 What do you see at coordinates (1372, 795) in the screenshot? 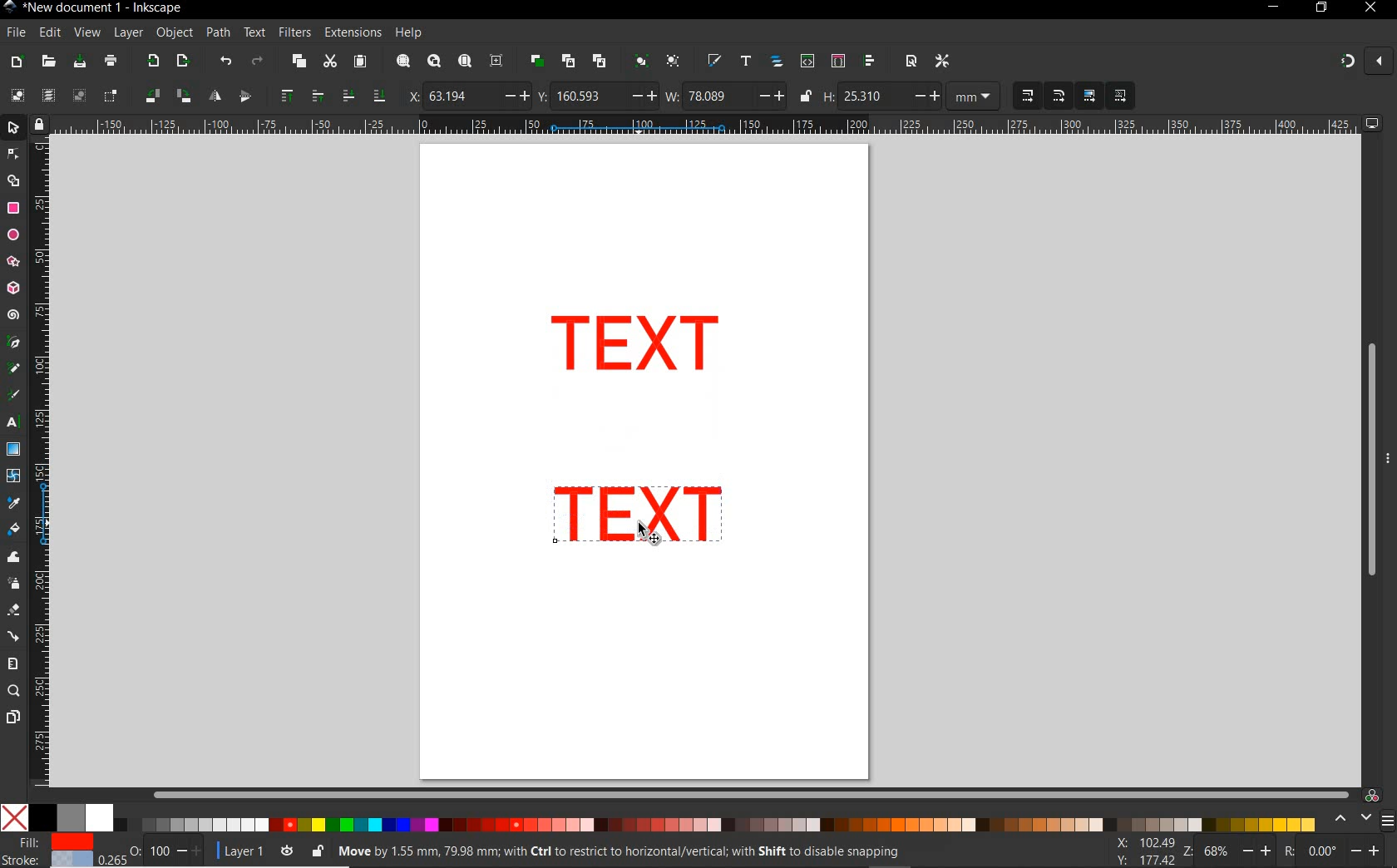
I see `color managed code` at bounding box center [1372, 795].